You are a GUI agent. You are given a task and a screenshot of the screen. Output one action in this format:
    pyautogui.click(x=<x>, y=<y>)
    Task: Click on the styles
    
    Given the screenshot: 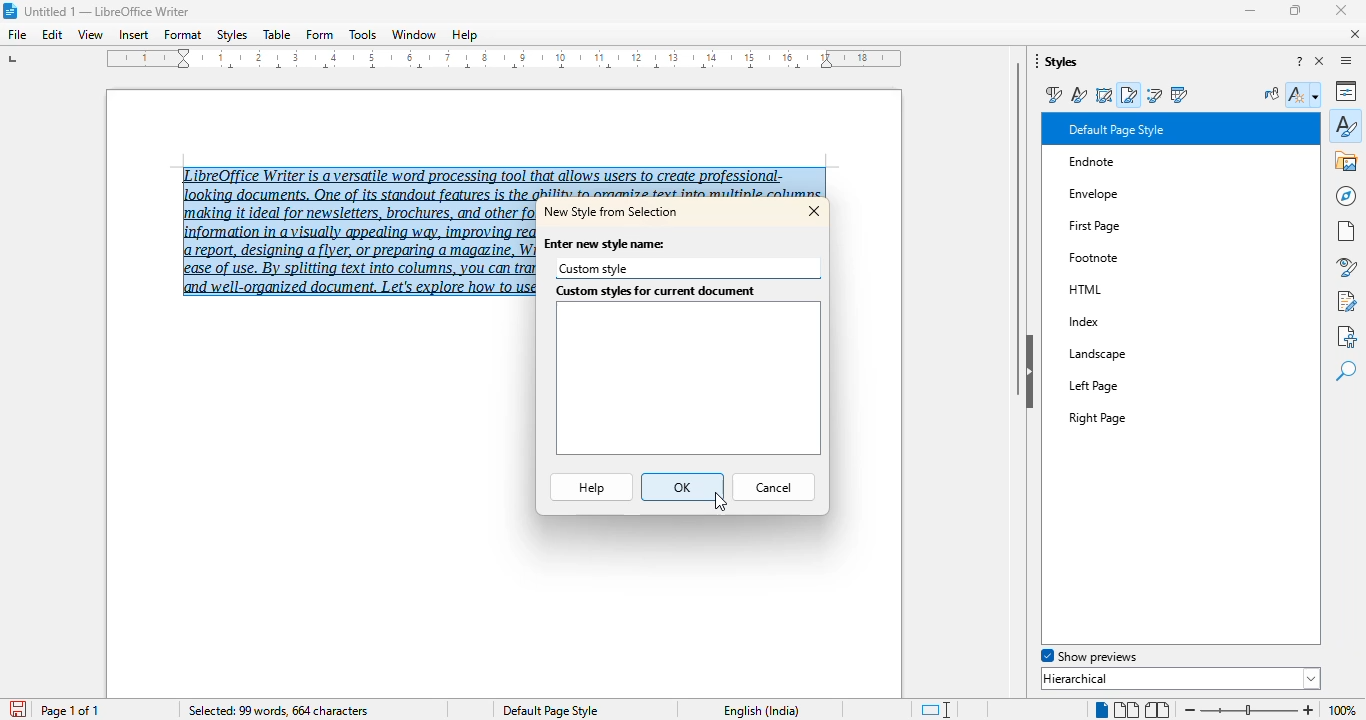 What is the action you would take?
    pyautogui.click(x=1059, y=62)
    